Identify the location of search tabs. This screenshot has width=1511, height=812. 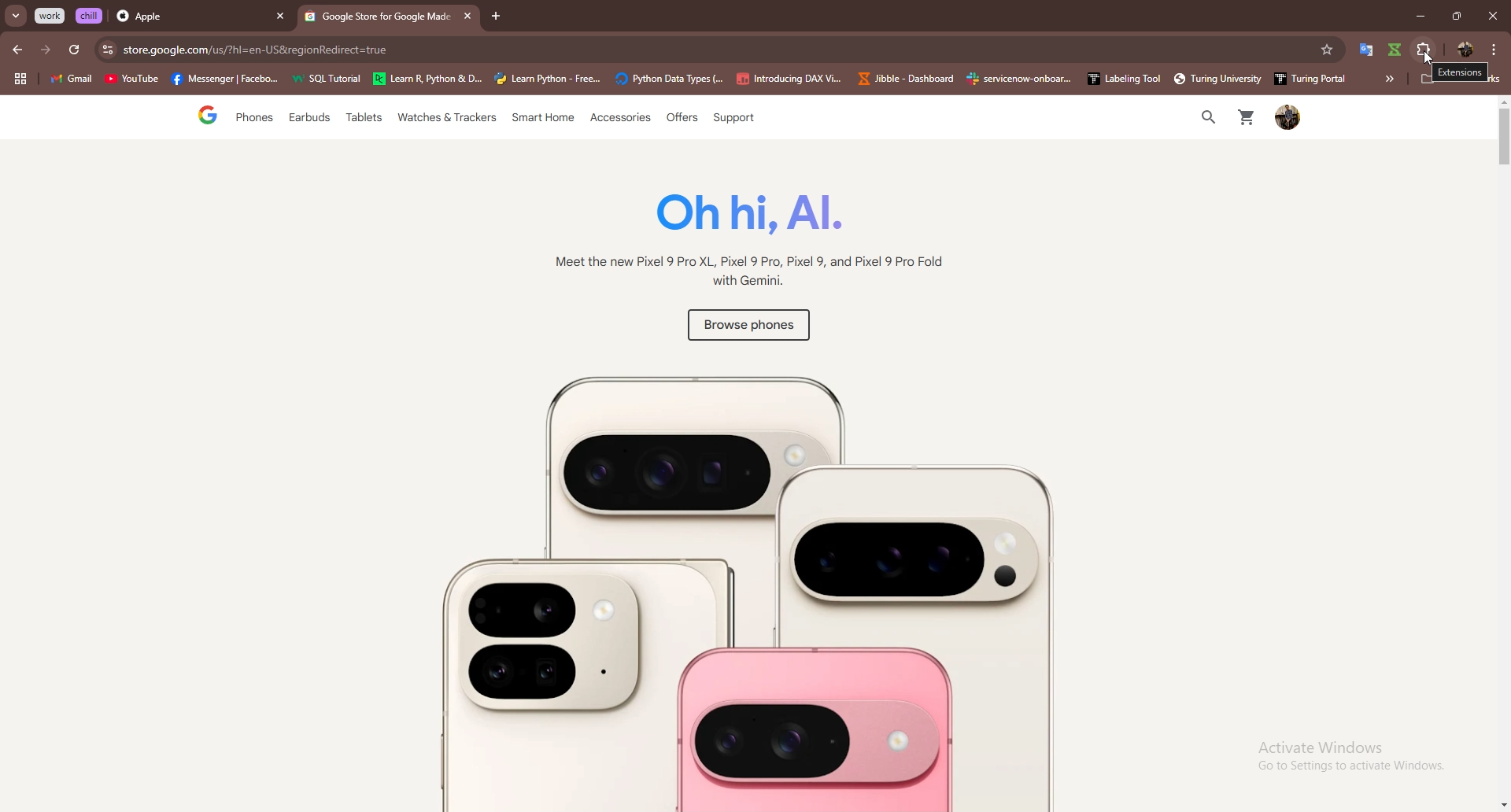
(17, 17).